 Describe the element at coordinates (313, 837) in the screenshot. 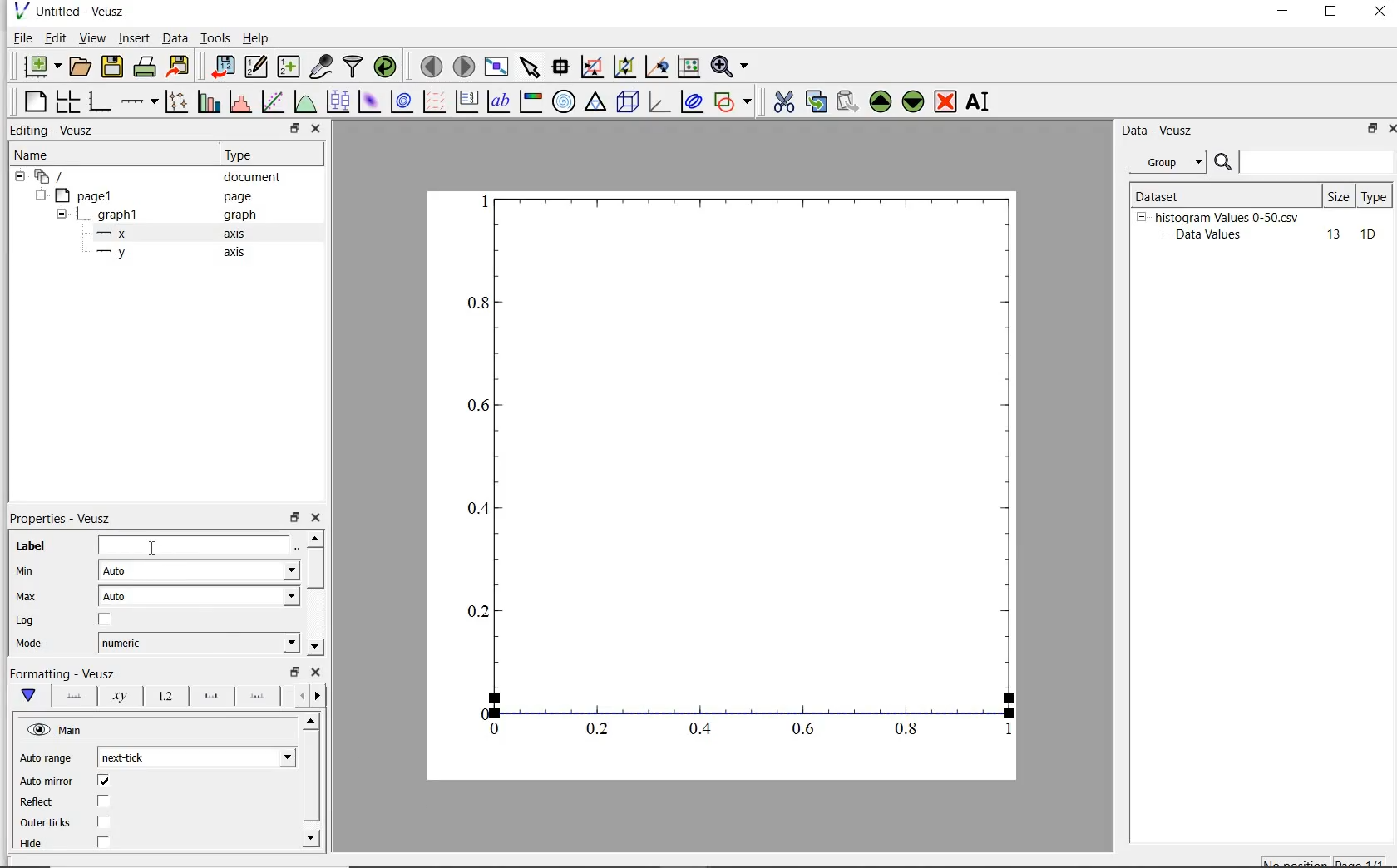

I see `move down` at that location.